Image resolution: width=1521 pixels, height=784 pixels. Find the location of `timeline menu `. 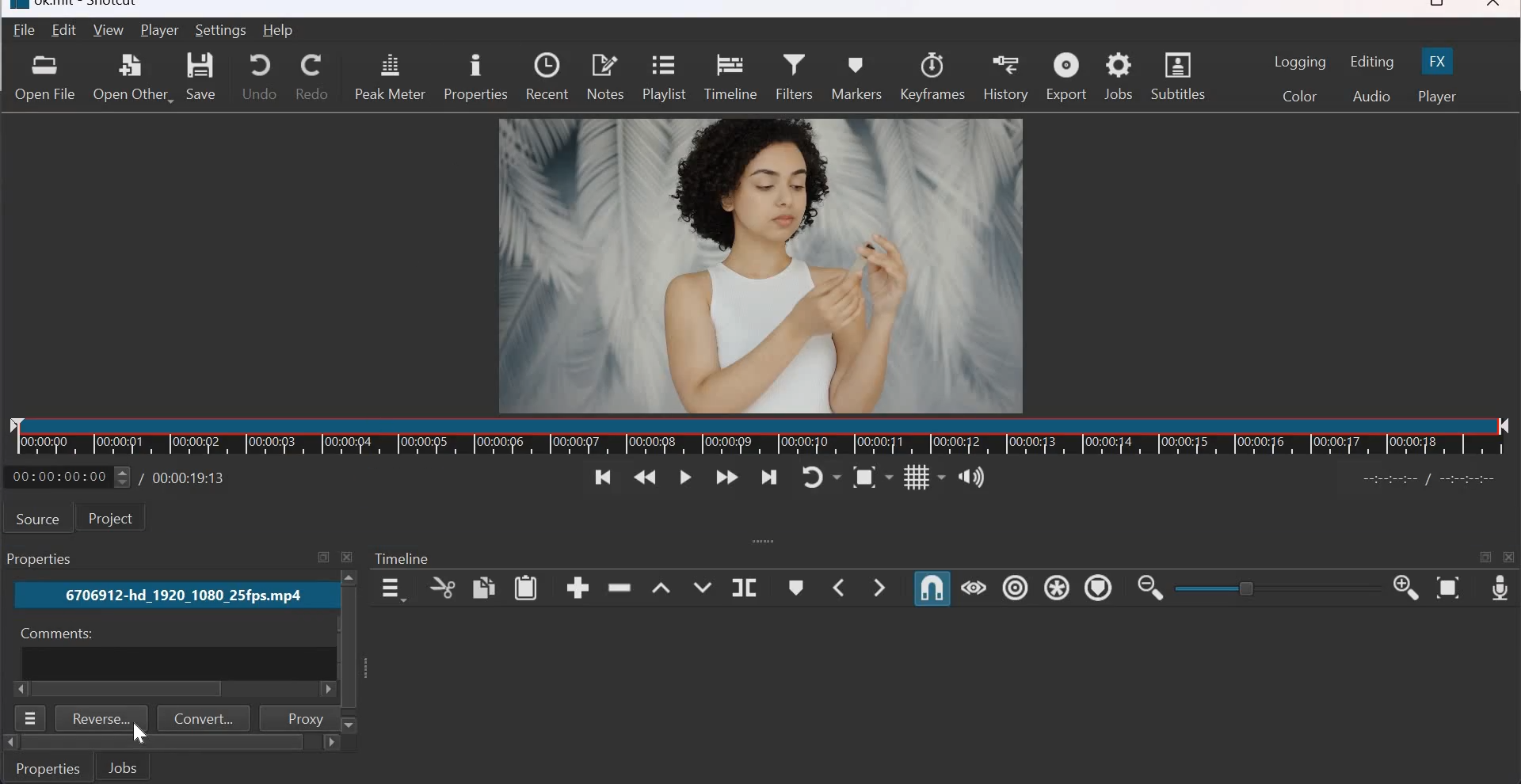

timeline menu  is located at coordinates (391, 588).